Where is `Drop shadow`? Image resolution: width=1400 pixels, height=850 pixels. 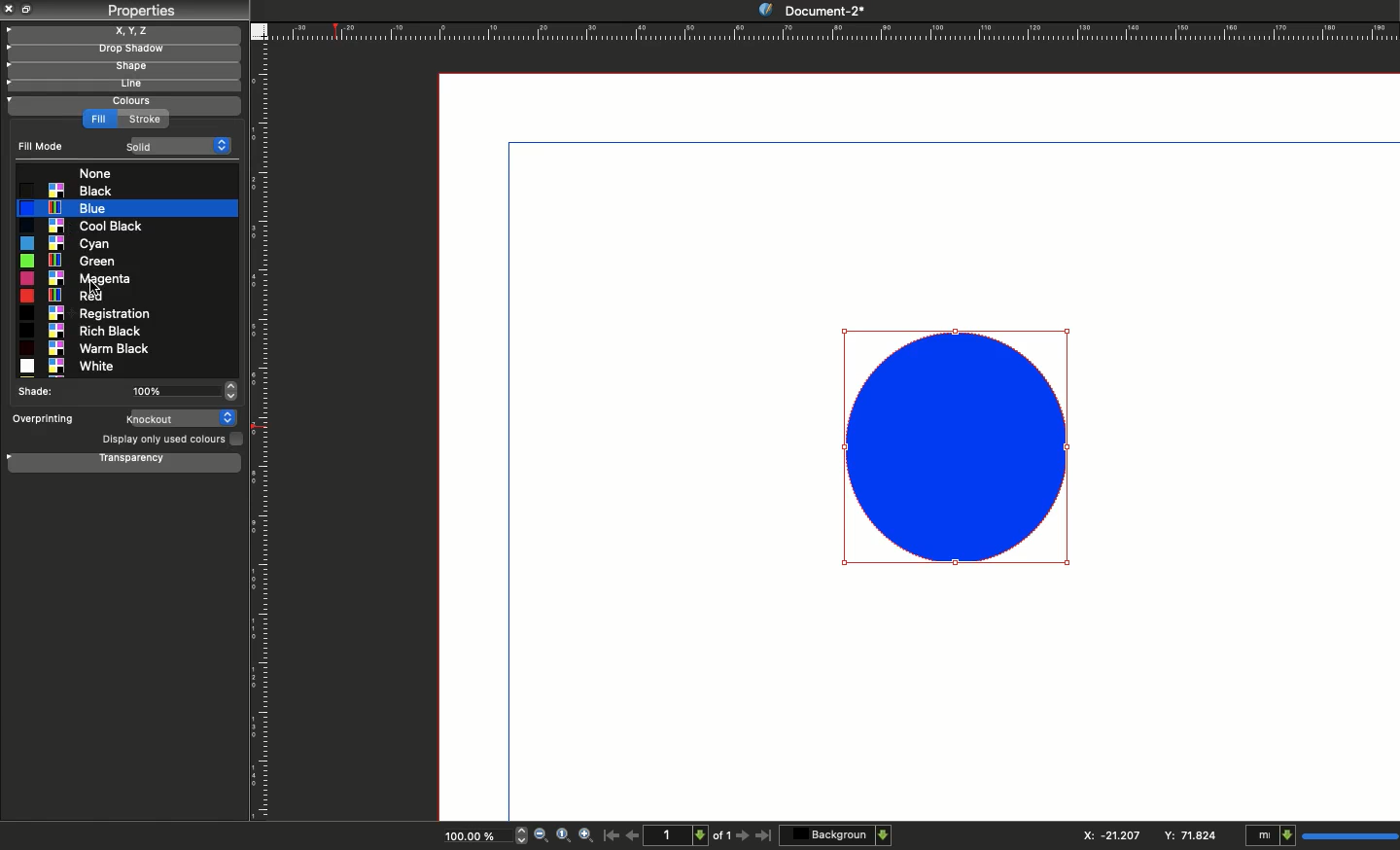 Drop shadow is located at coordinates (121, 51).